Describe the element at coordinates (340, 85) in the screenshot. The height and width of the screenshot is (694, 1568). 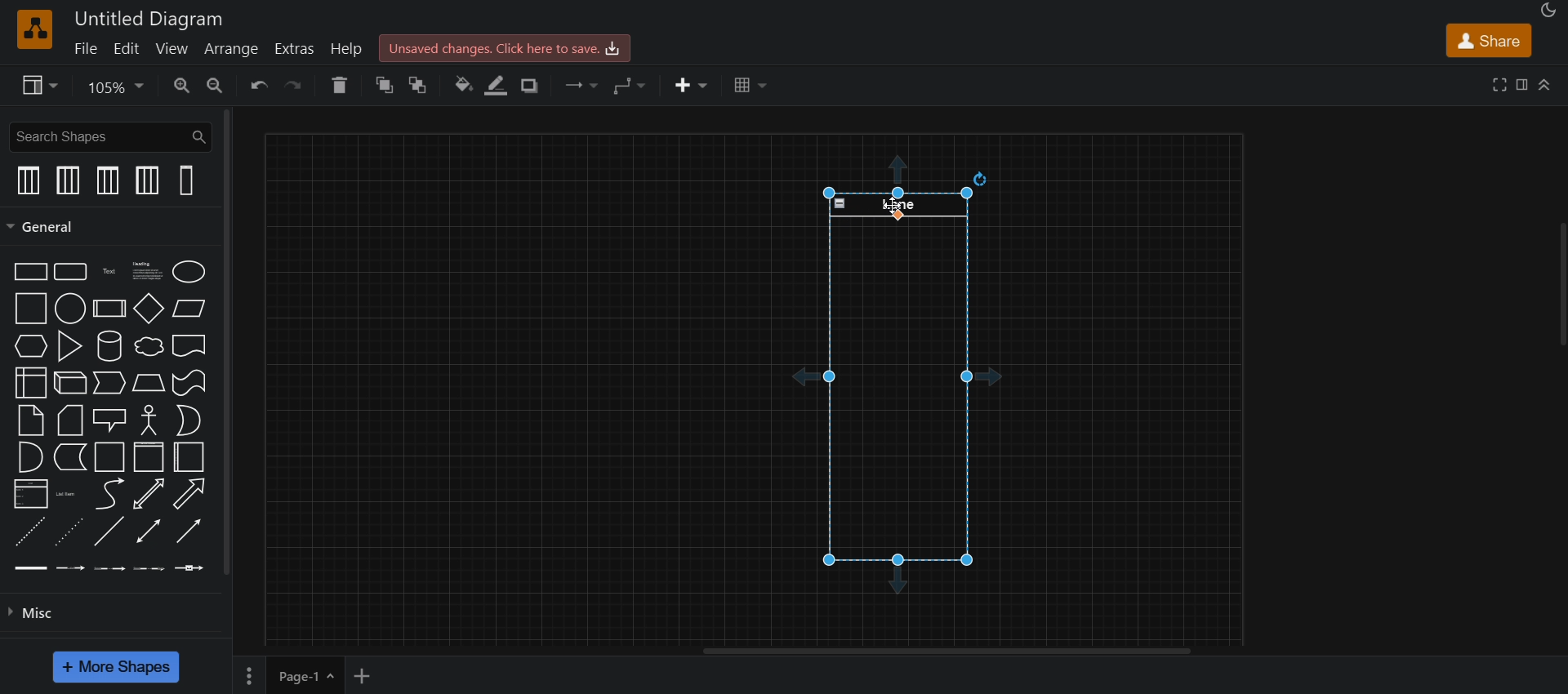
I see `delete` at that location.